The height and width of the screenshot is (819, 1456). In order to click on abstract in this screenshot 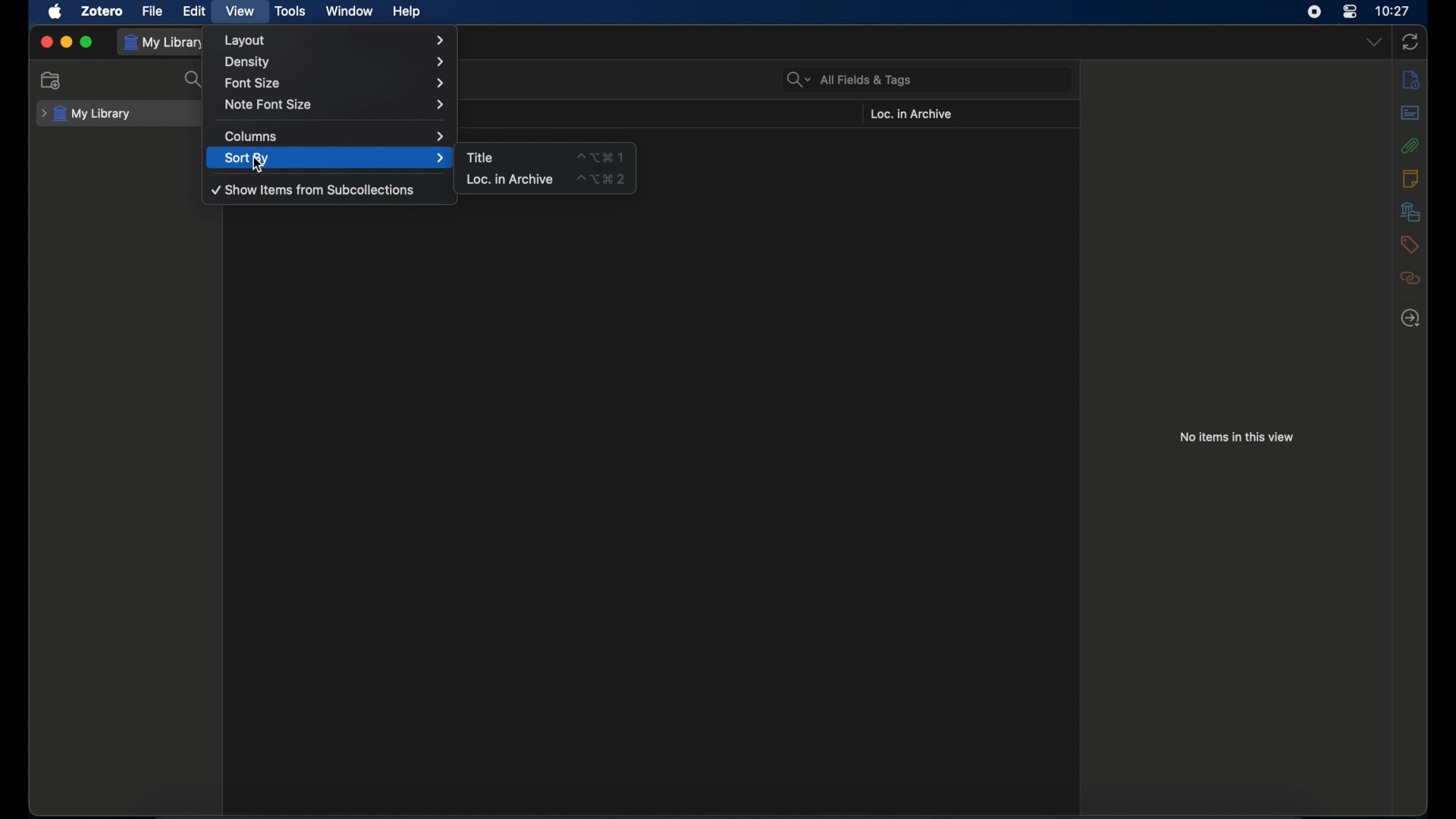, I will do `click(1409, 112)`.